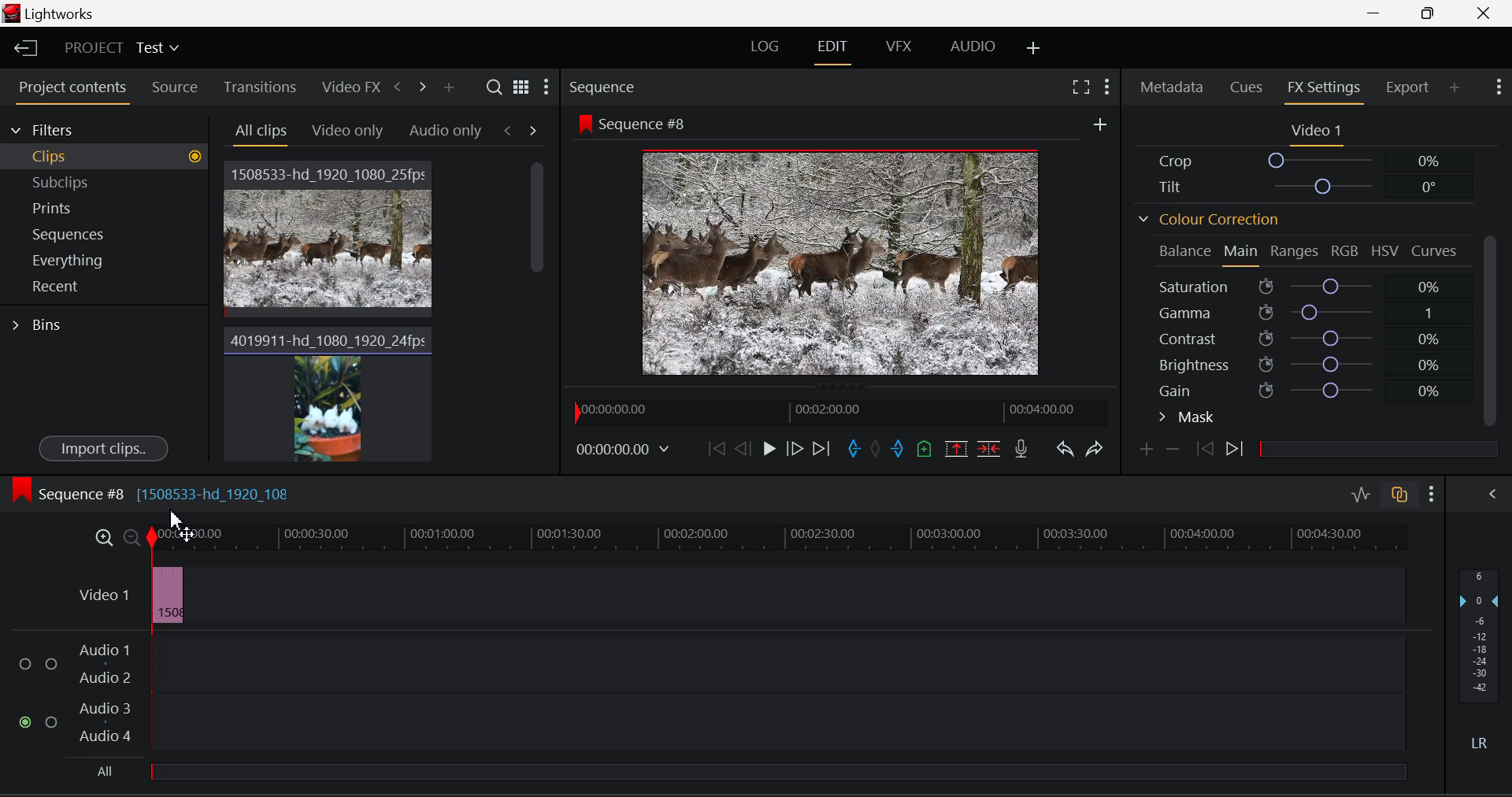  Describe the element at coordinates (65, 495) in the screenshot. I see `Sequence #8 Timeline Display` at that location.